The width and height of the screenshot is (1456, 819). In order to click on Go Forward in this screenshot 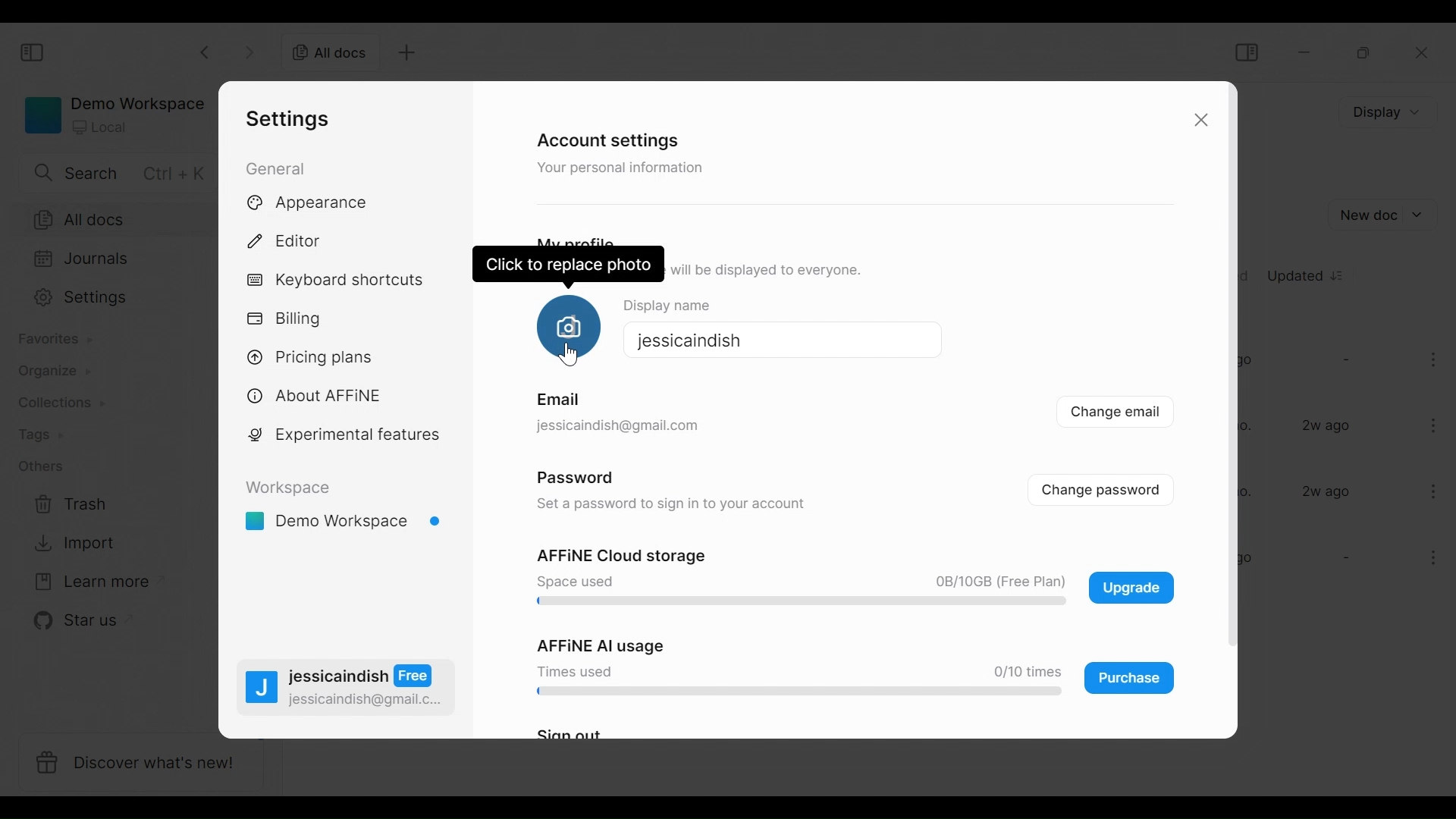, I will do `click(246, 52)`.